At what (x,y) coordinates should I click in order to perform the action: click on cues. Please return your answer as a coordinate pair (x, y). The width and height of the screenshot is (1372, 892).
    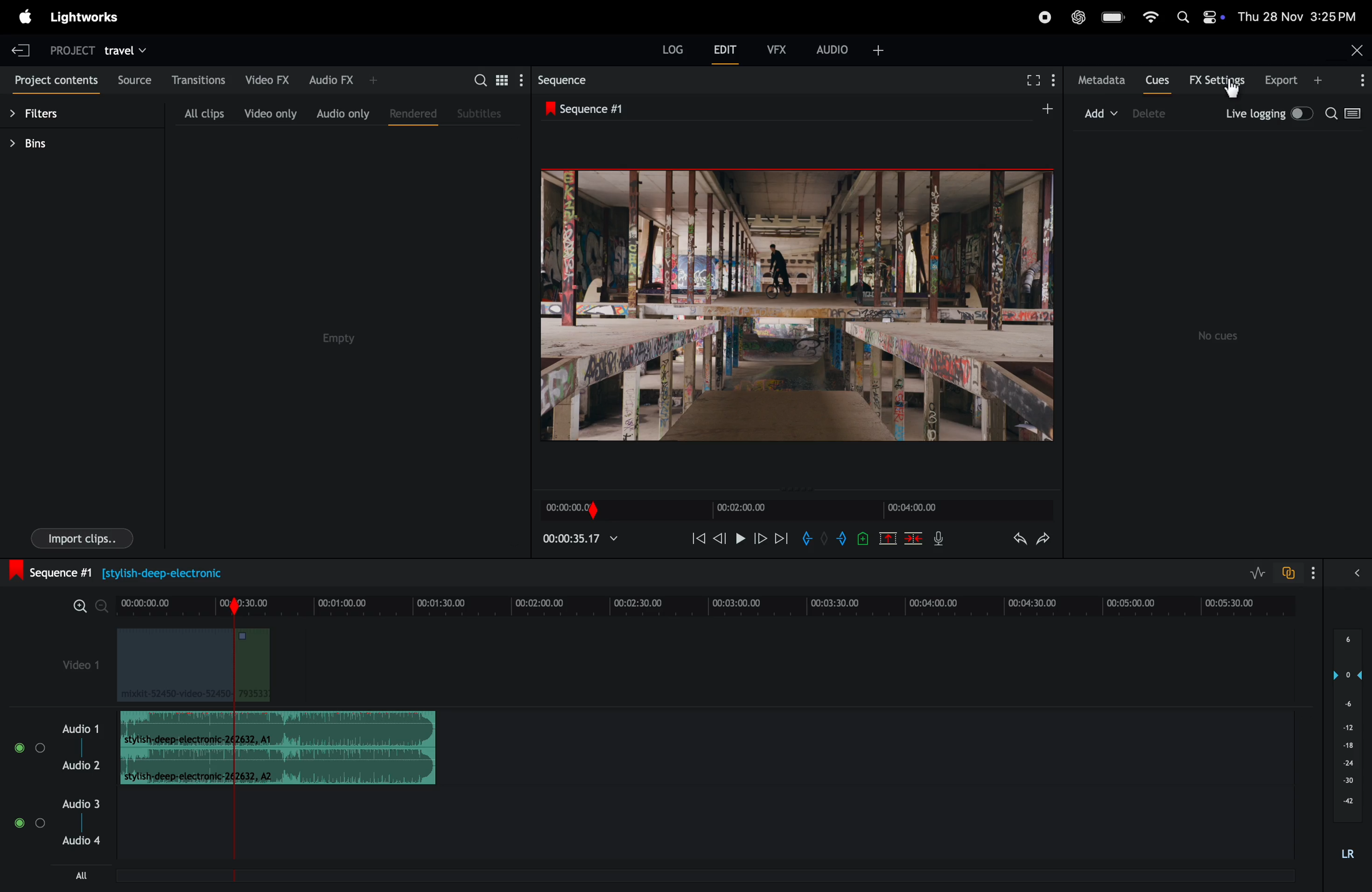
    Looking at the image, I should click on (1157, 80).